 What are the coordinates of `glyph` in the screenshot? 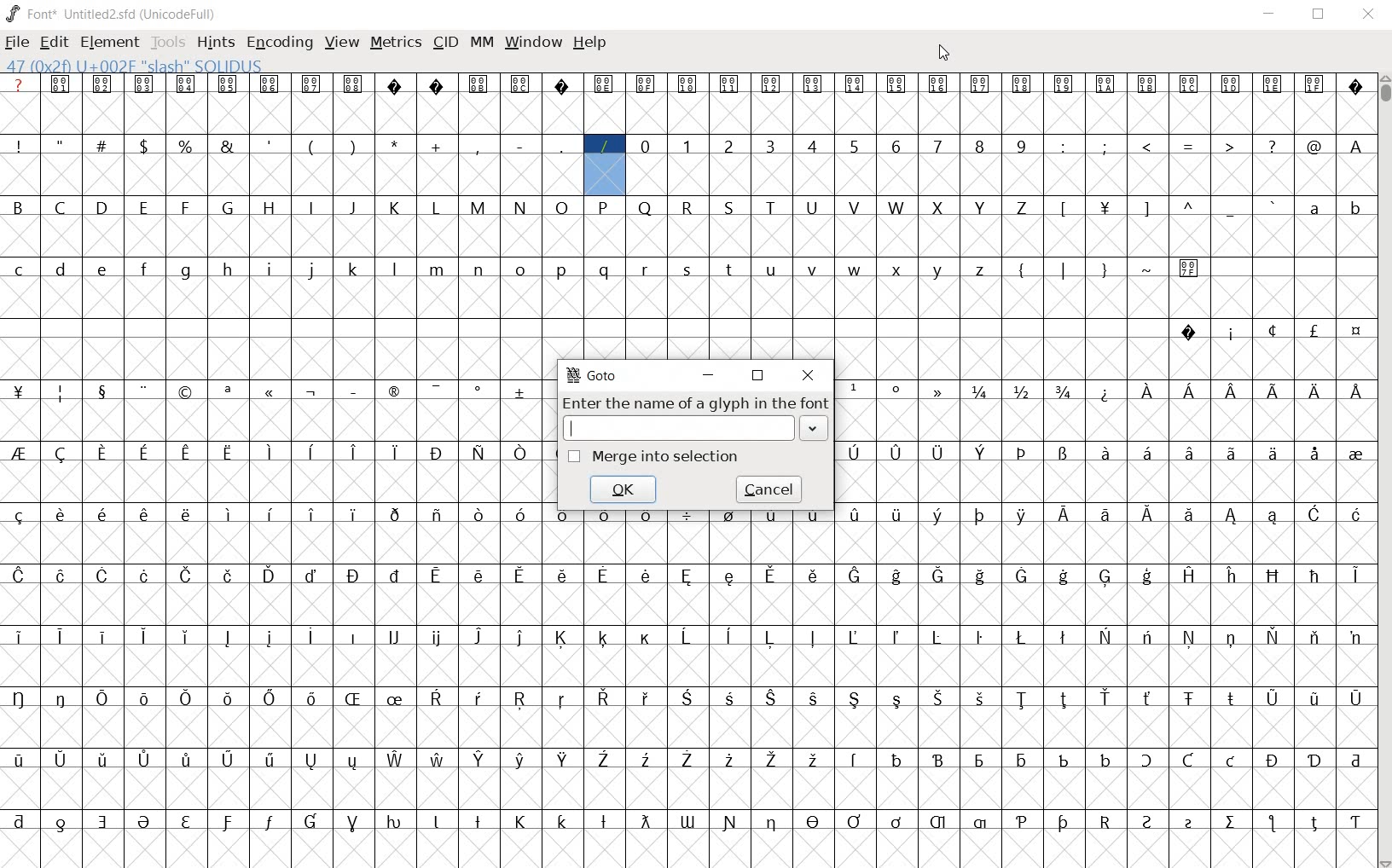 It's located at (1355, 639).